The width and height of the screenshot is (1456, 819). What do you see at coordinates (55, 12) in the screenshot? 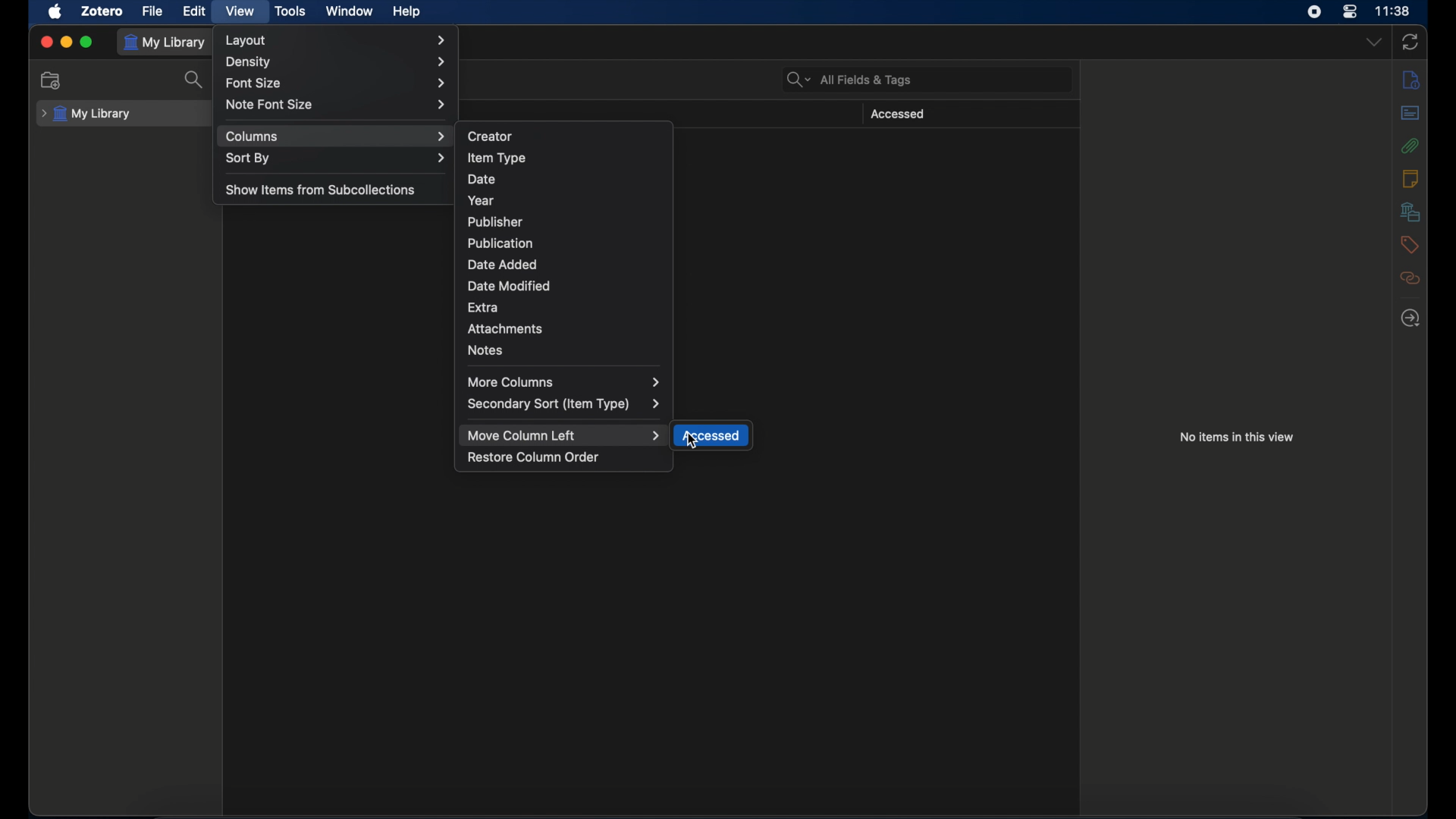
I see `apple` at bounding box center [55, 12].